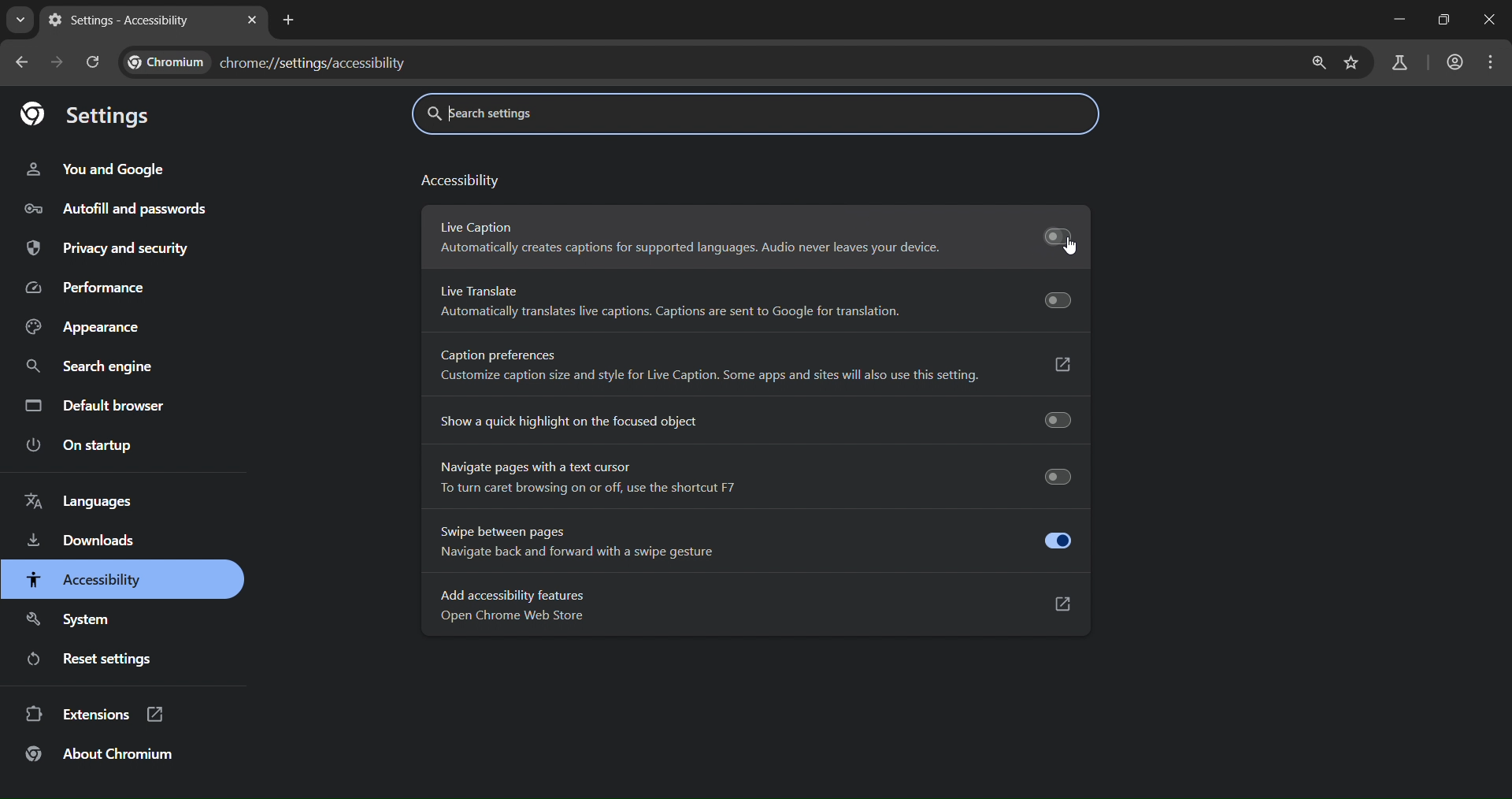 The image size is (1512, 799). Describe the element at coordinates (102, 325) in the screenshot. I see `appearance` at that location.